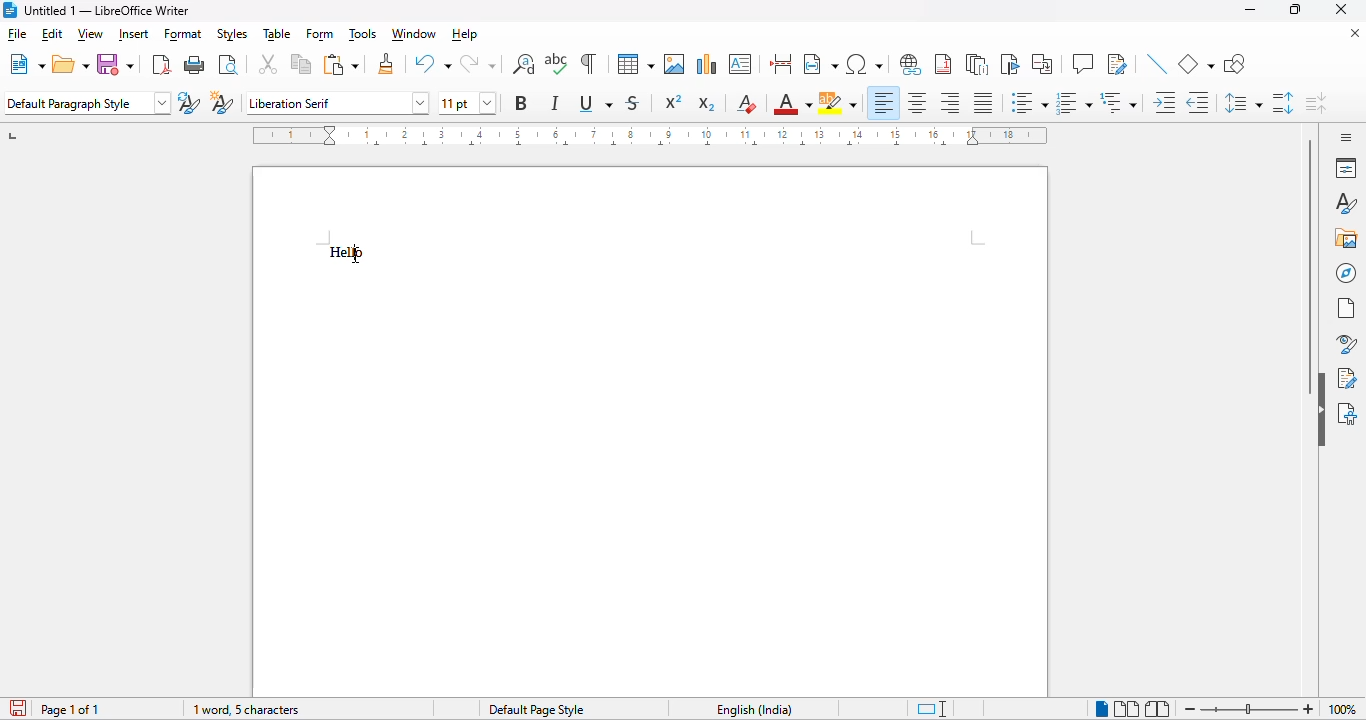  What do you see at coordinates (636, 64) in the screenshot?
I see `insert table` at bounding box center [636, 64].